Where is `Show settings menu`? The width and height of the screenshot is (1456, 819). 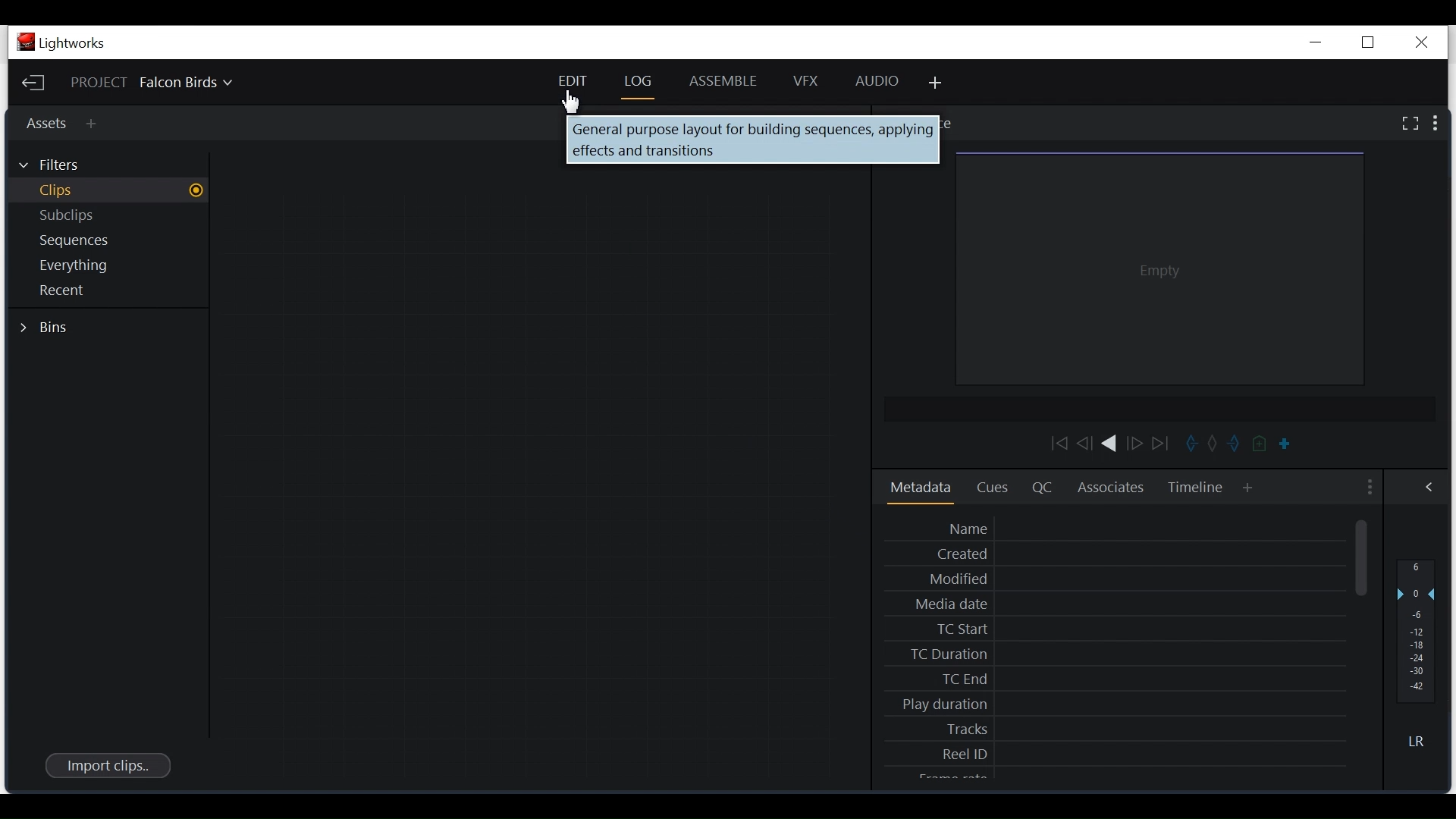
Show settings menu is located at coordinates (1437, 124).